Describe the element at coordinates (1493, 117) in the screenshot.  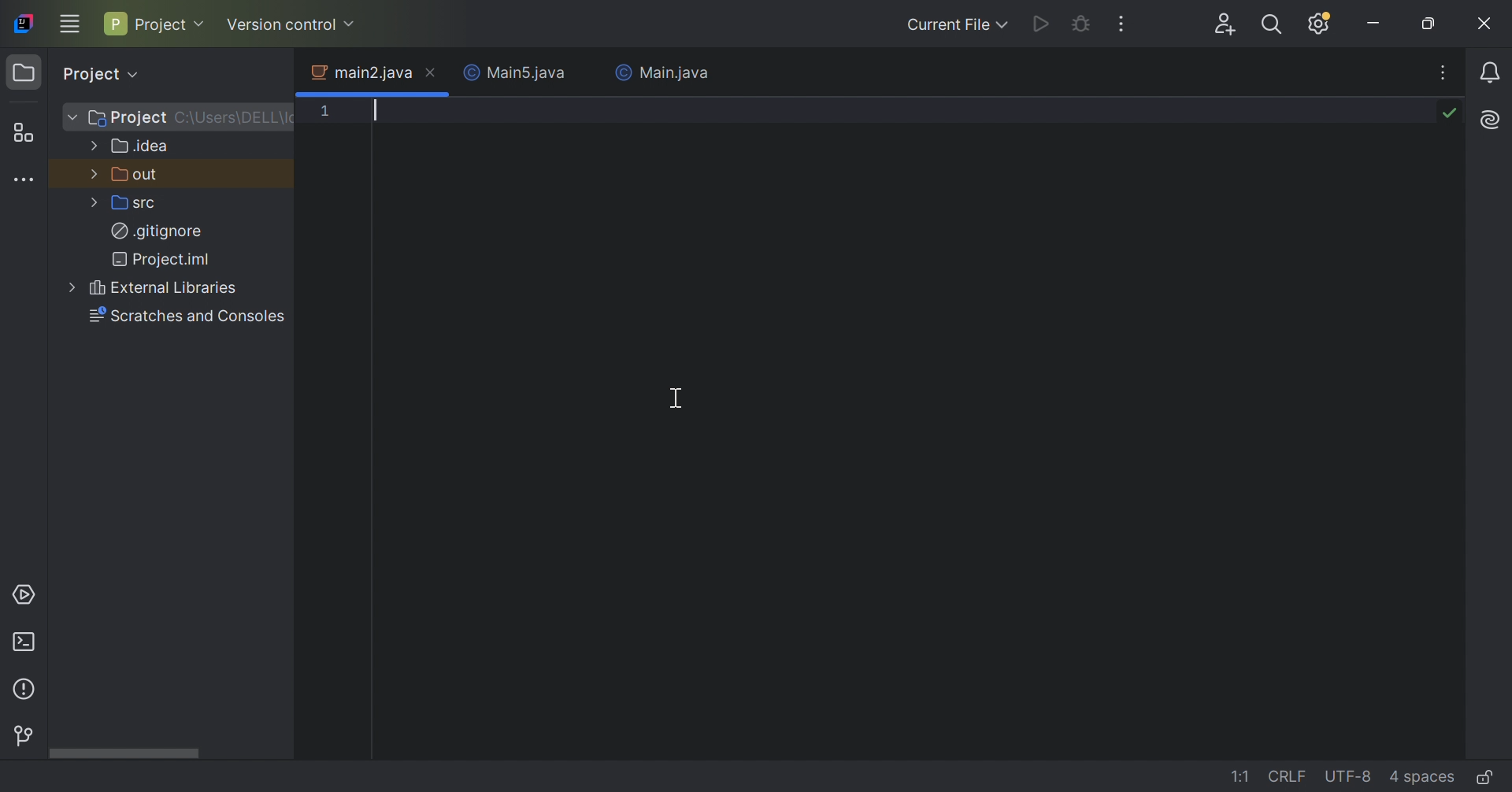
I see `AI Assistant` at that location.